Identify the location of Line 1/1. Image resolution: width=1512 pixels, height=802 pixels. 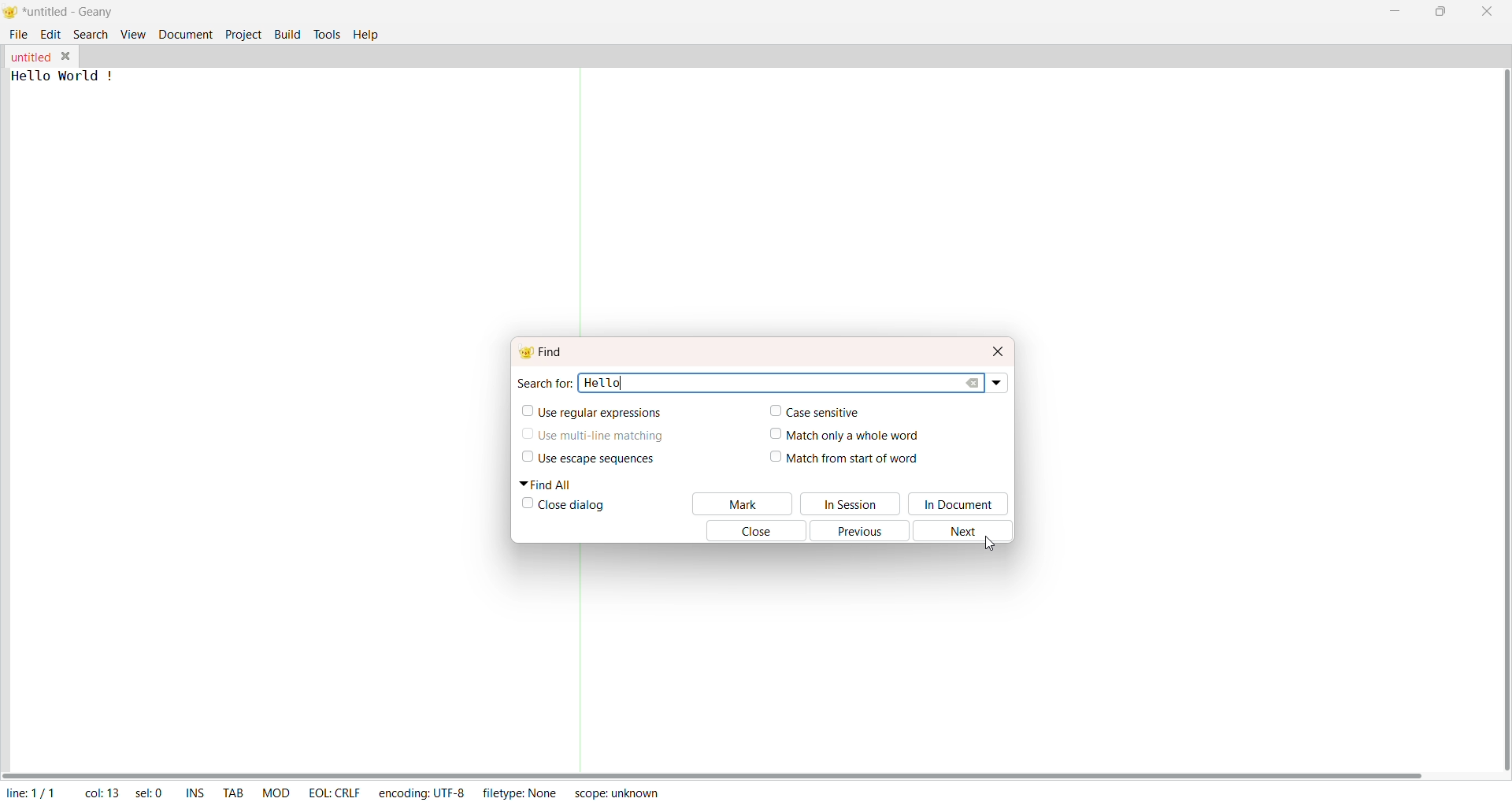
(35, 790).